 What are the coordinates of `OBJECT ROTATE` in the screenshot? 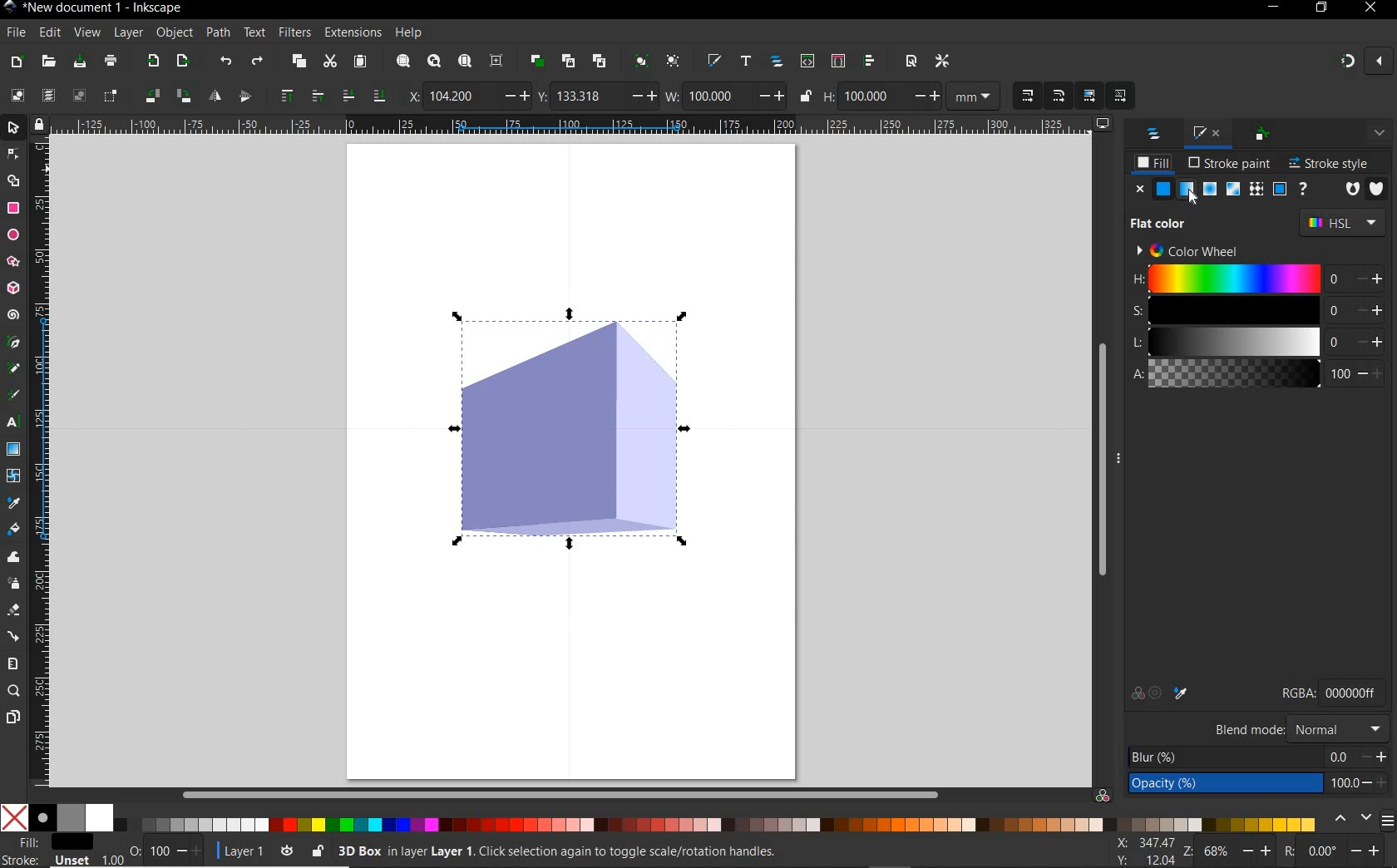 It's located at (151, 94).